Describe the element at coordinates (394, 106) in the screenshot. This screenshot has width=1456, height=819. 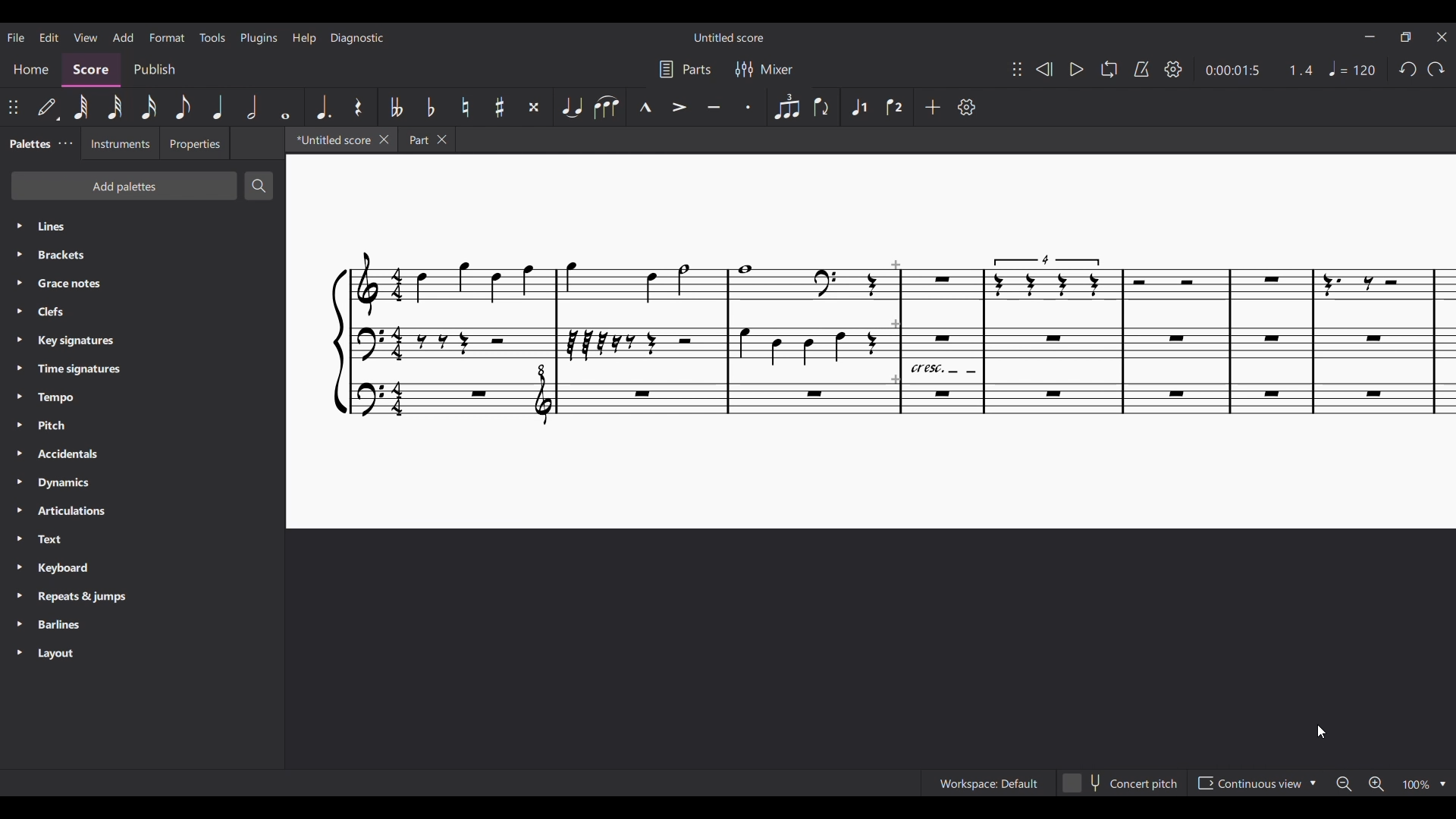
I see `Toggle double flat` at that location.